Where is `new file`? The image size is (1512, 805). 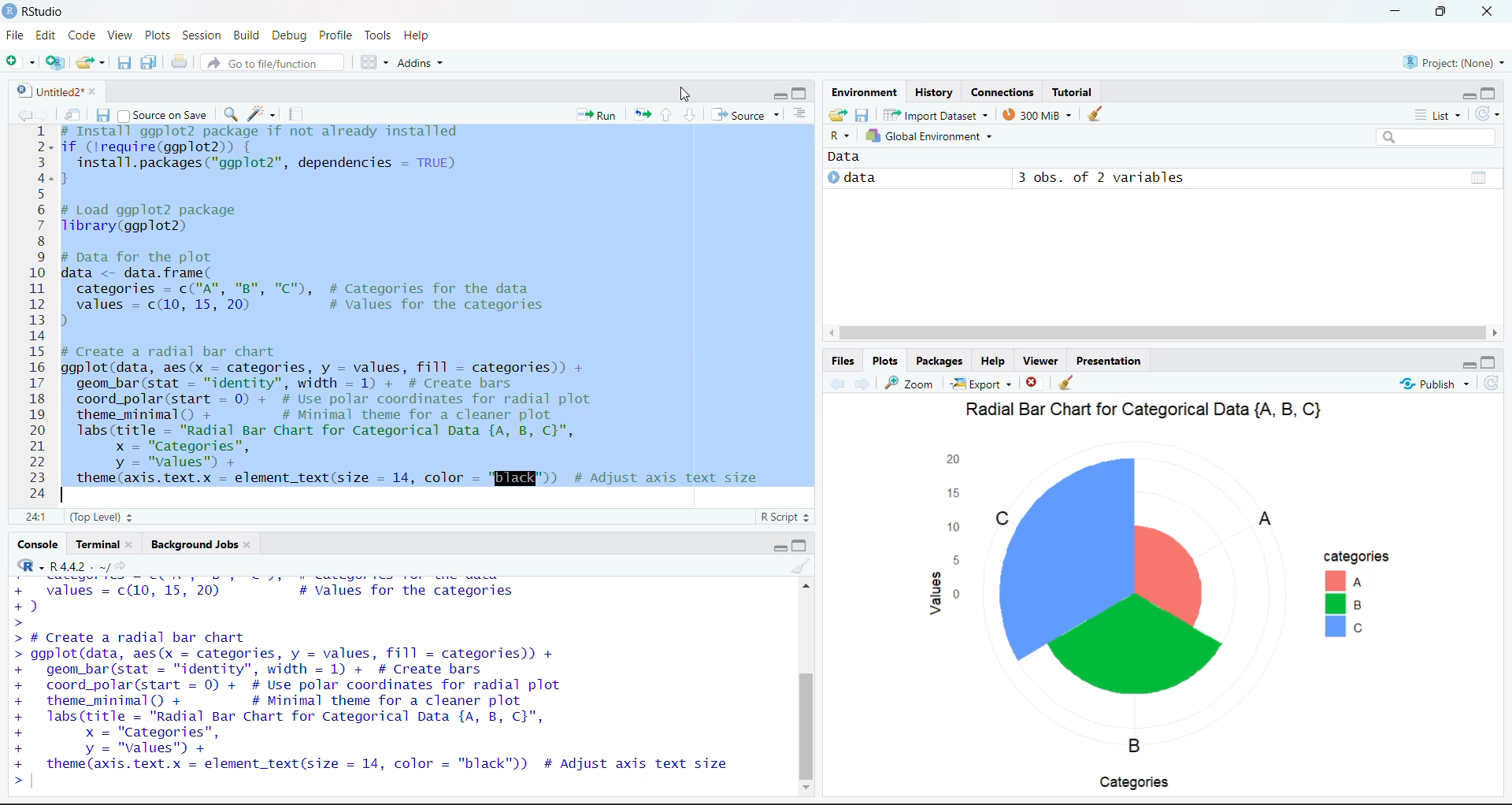
new file is located at coordinates (20, 63).